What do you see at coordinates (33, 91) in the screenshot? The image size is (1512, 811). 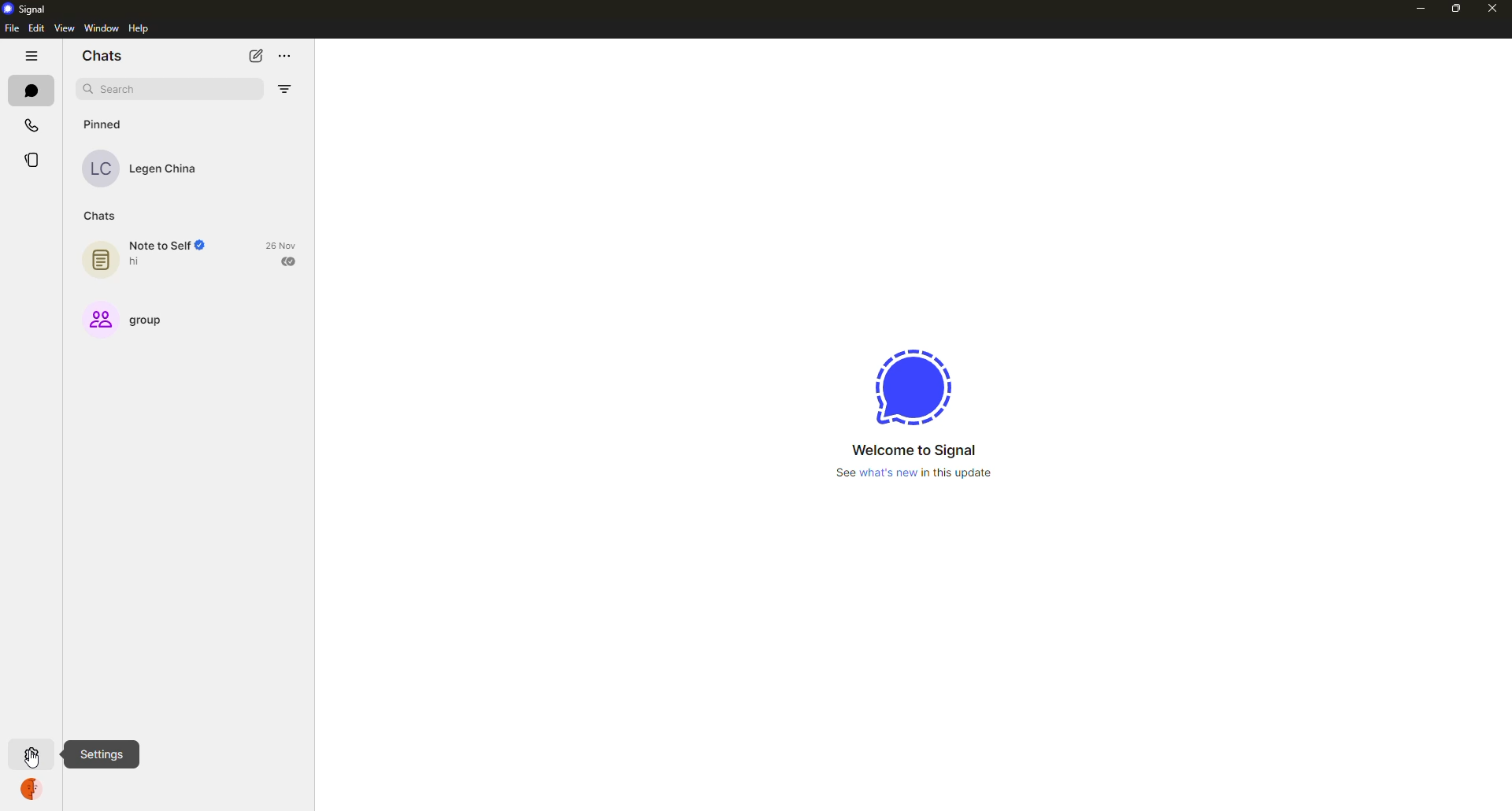 I see `chats` at bounding box center [33, 91].